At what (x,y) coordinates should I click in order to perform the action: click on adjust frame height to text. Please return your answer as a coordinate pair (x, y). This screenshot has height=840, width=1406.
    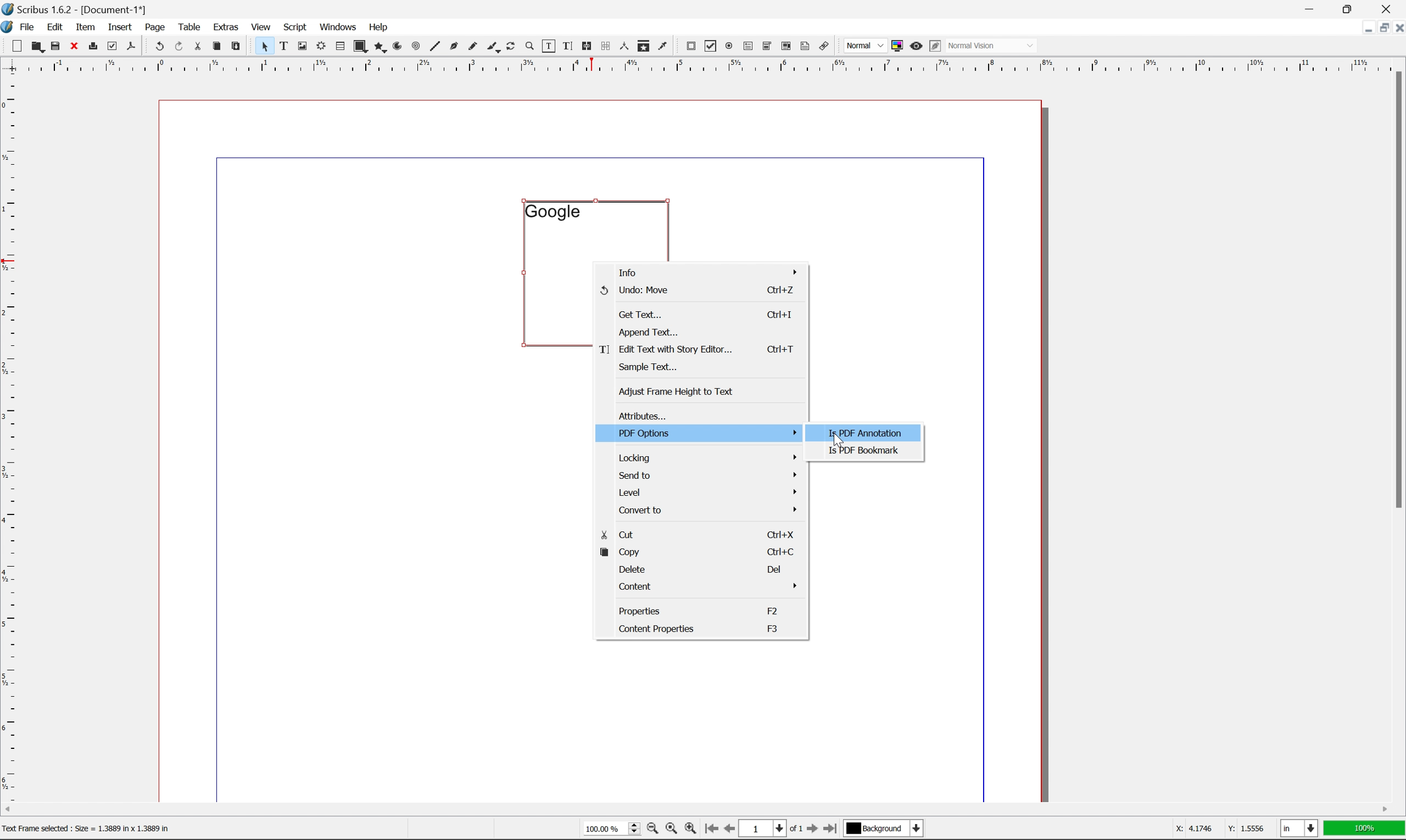
    Looking at the image, I should click on (674, 392).